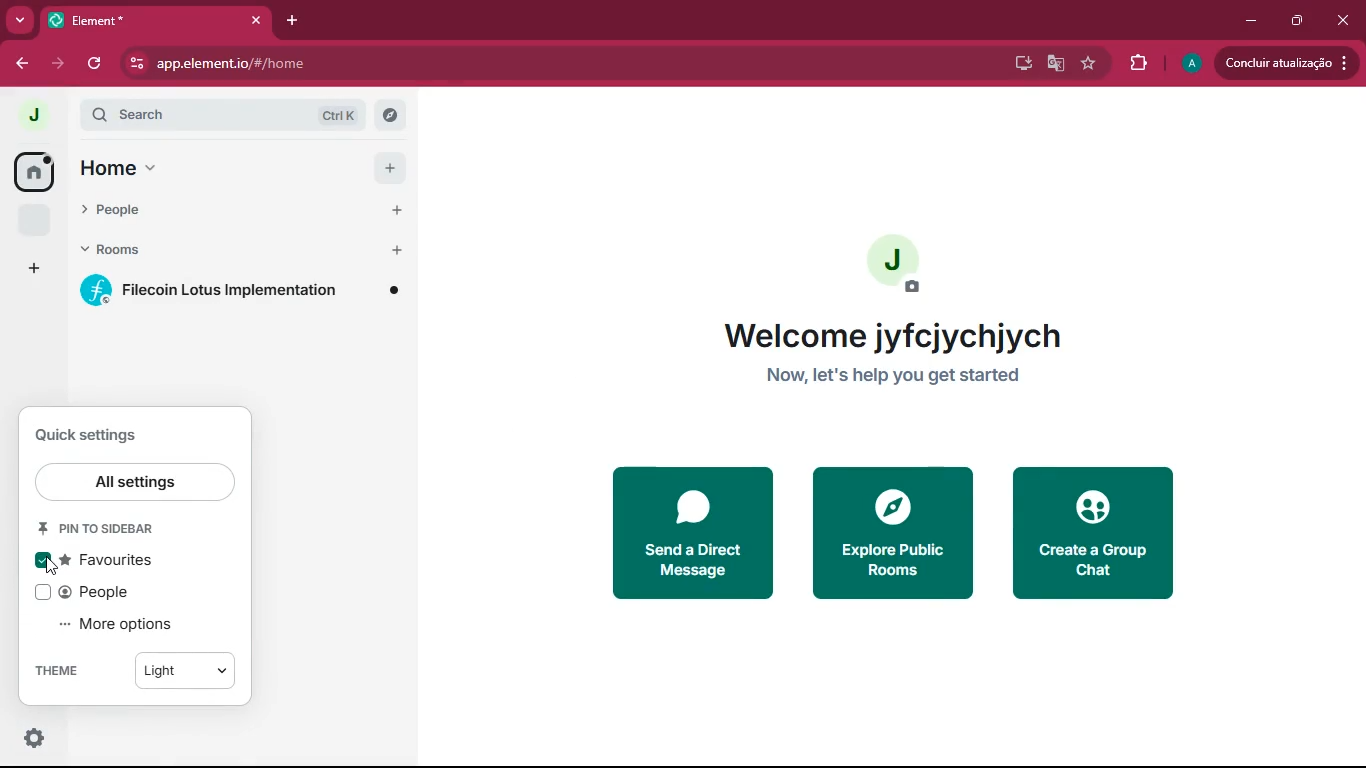  I want to click on on, so click(45, 561).